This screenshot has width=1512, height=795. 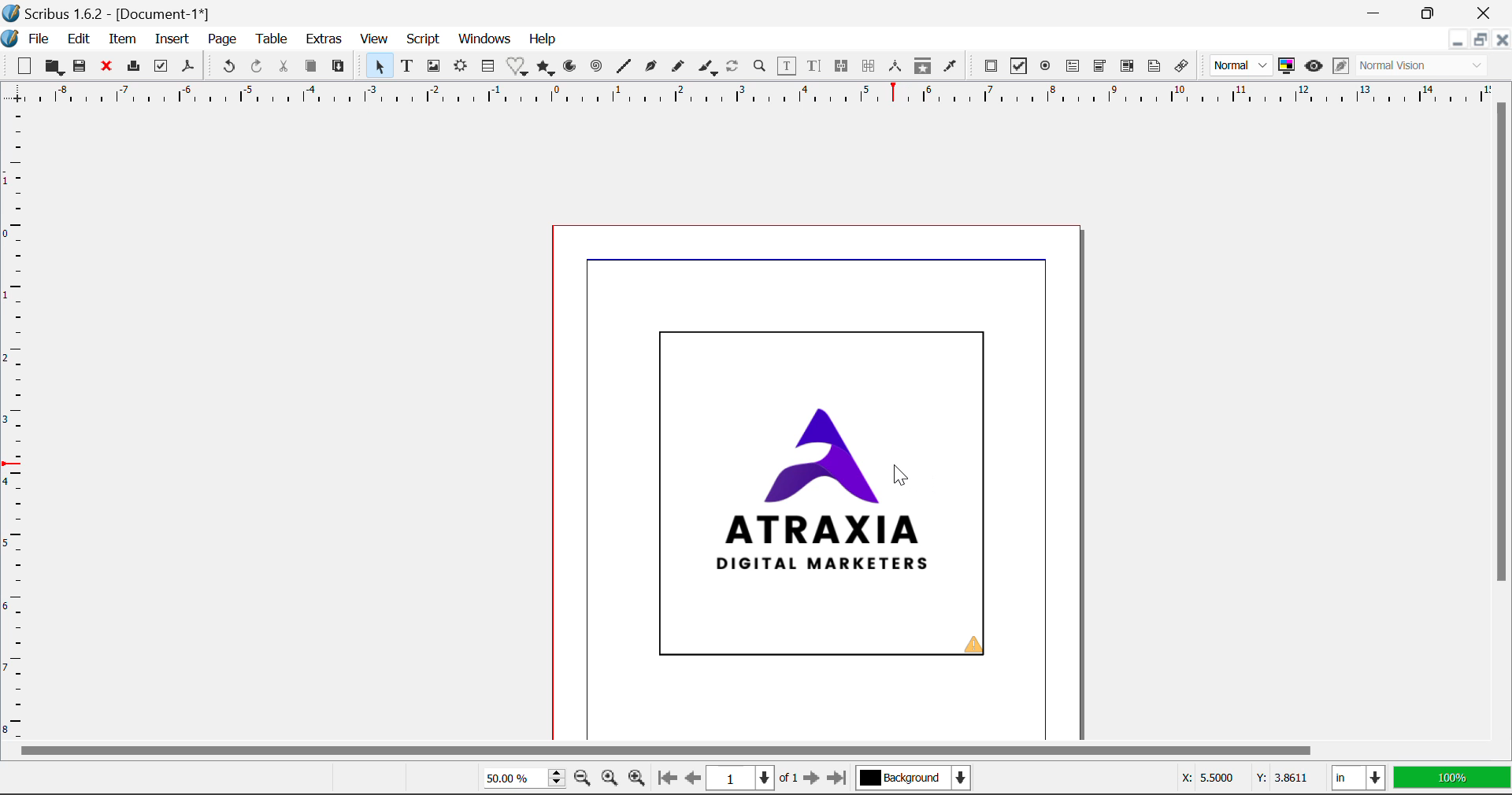 What do you see at coordinates (491, 68) in the screenshot?
I see `Insert Table` at bounding box center [491, 68].